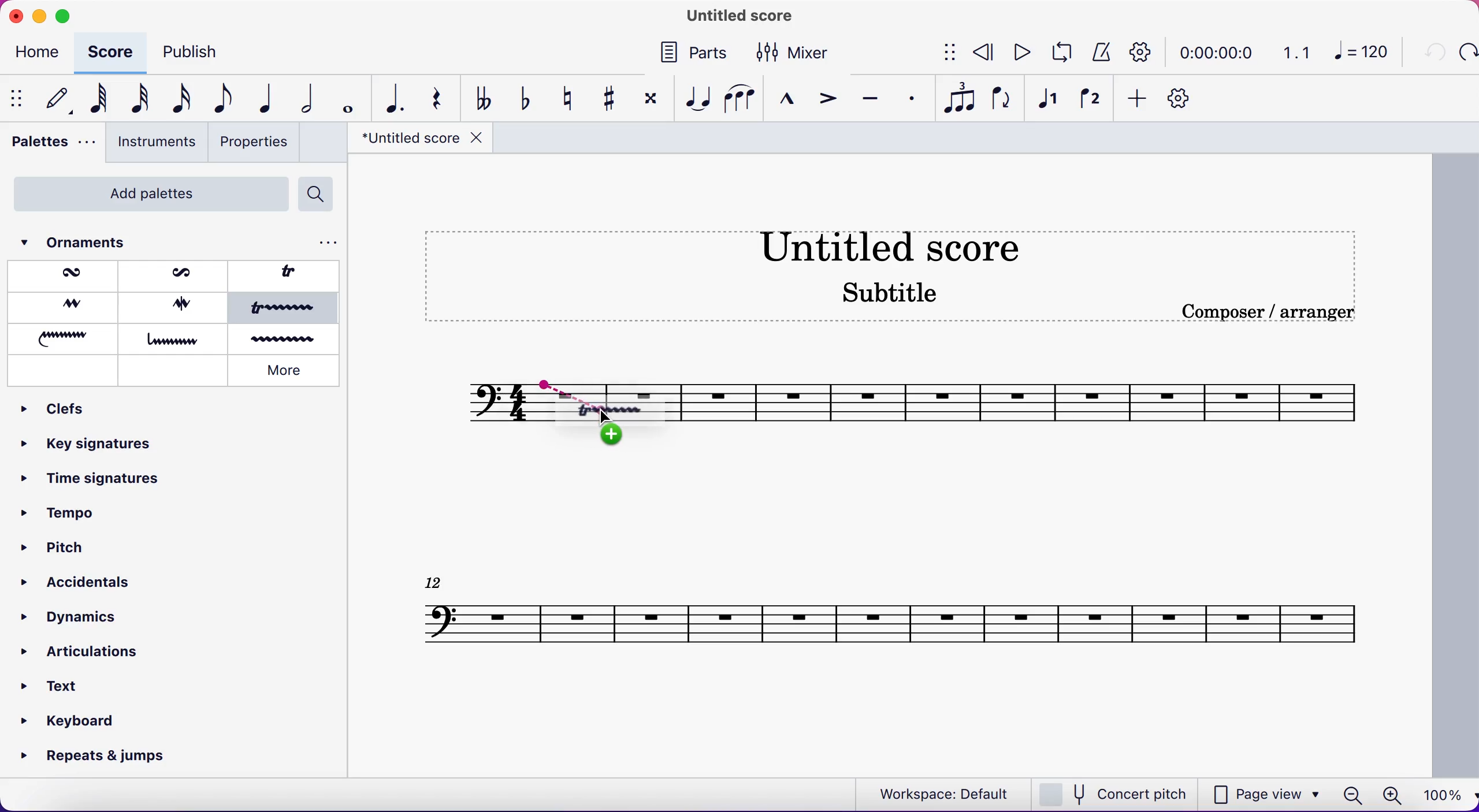 This screenshot has height=812, width=1479. Describe the element at coordinates (1138, 100) in the screenshot. I see `add` at that location.